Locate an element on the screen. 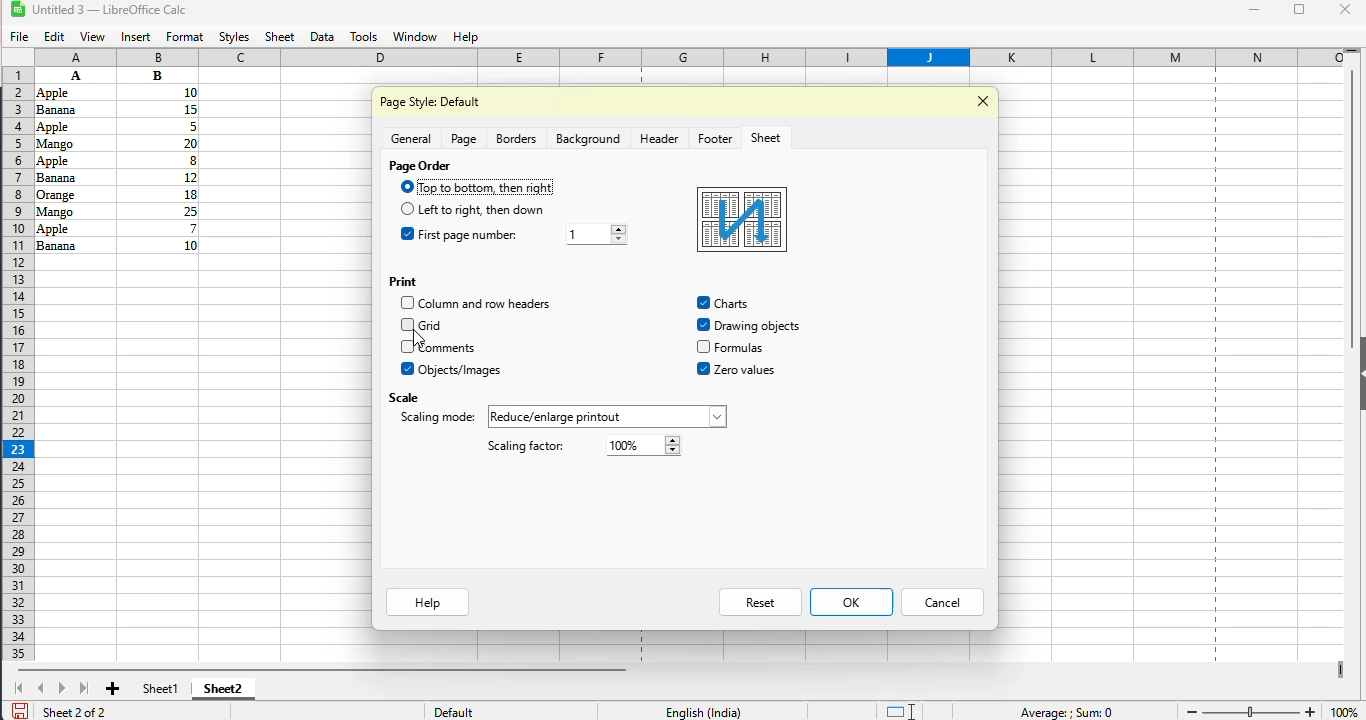   is located at coordinates (406, 234).